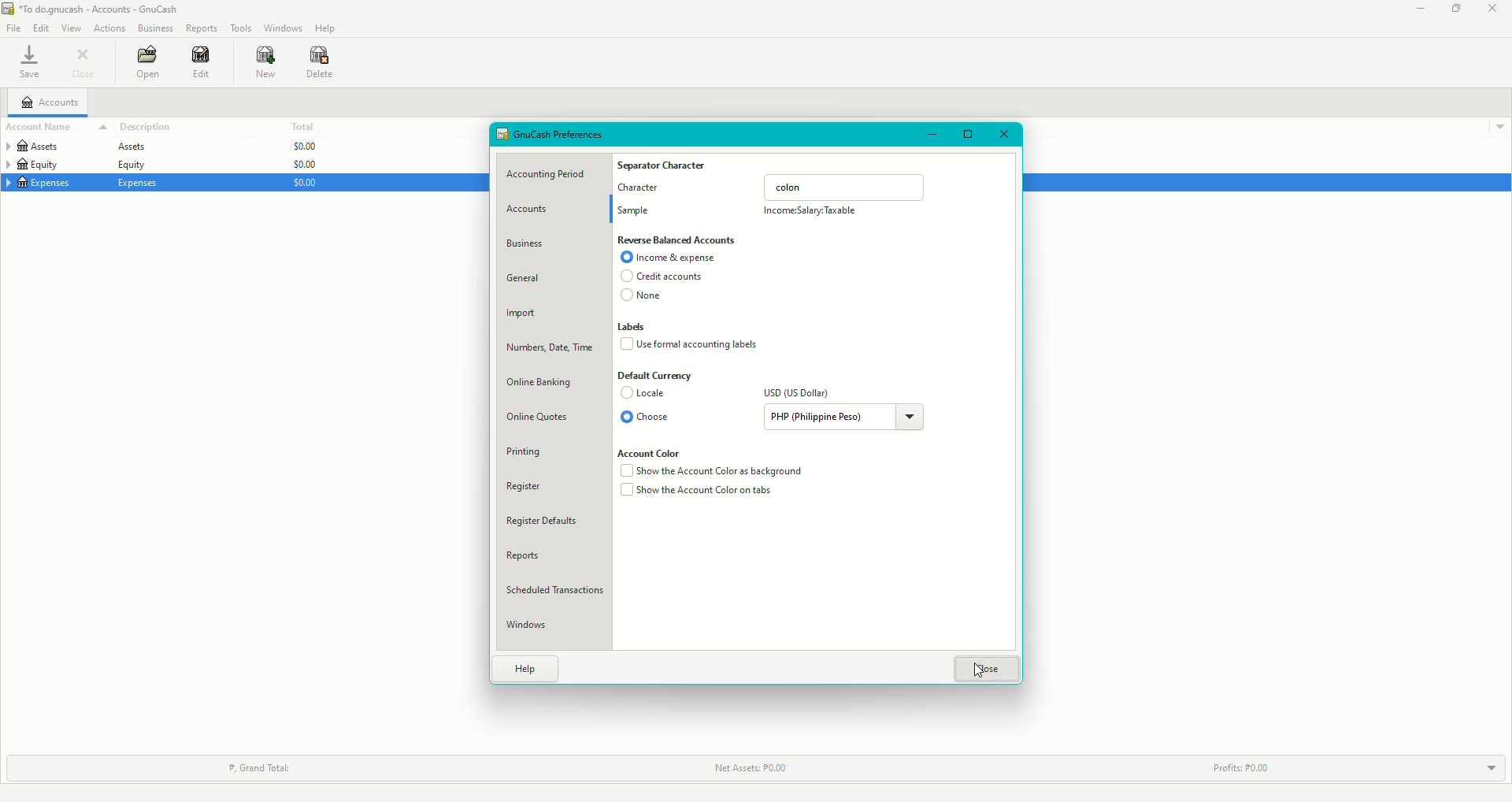 This screenshot has width=1512, height=802. Describe the element at coordinates (300, 126) in the screenshot. I see `Total` at that location.